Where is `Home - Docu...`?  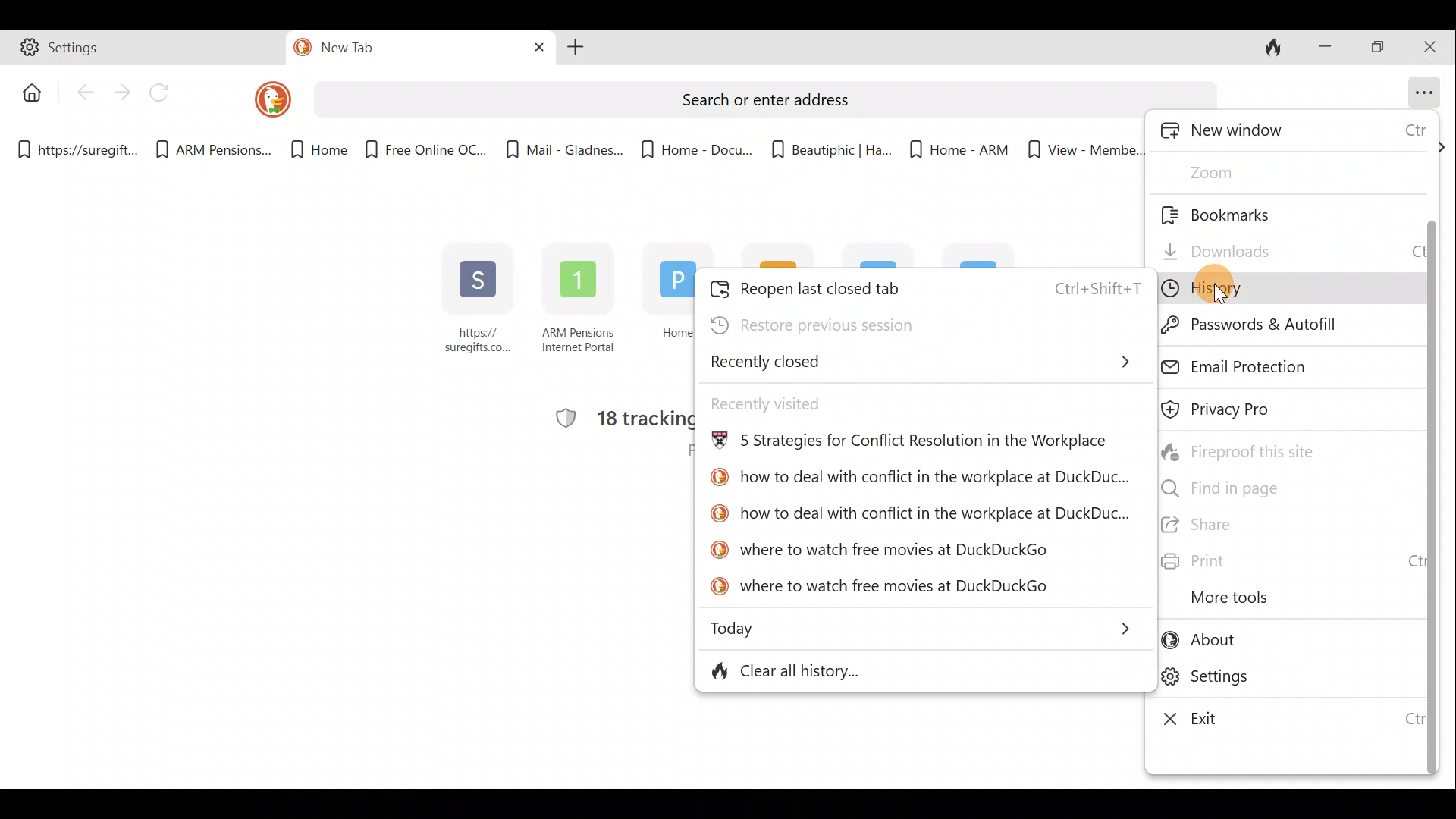
Home - Docu... is located at coordinates (695, 145).